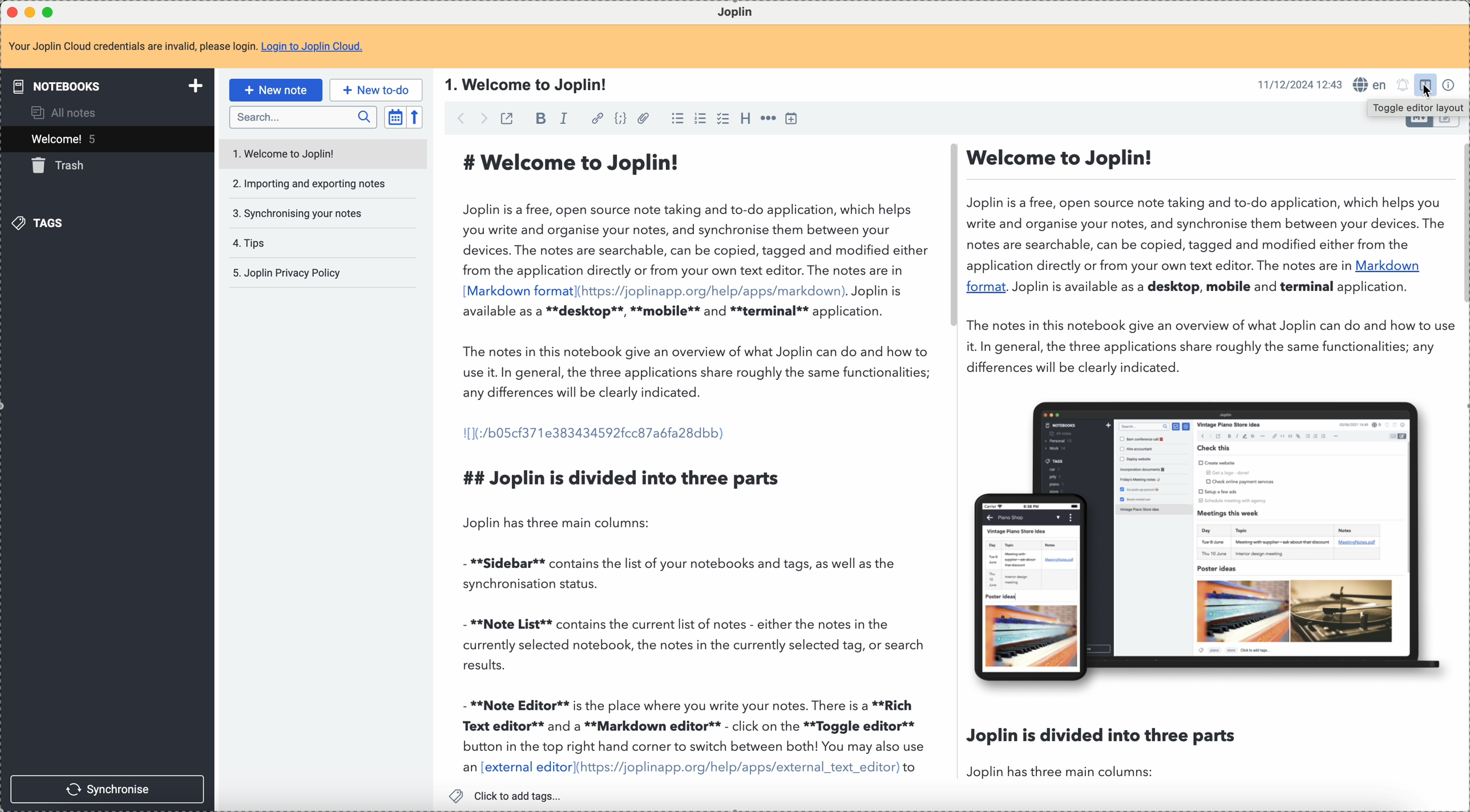 This screenshot has height=812, width=1470. What do you see at coordinates (878, 290) in the screenshot?
I see `Joplin is` at bounding box center [878, 290].